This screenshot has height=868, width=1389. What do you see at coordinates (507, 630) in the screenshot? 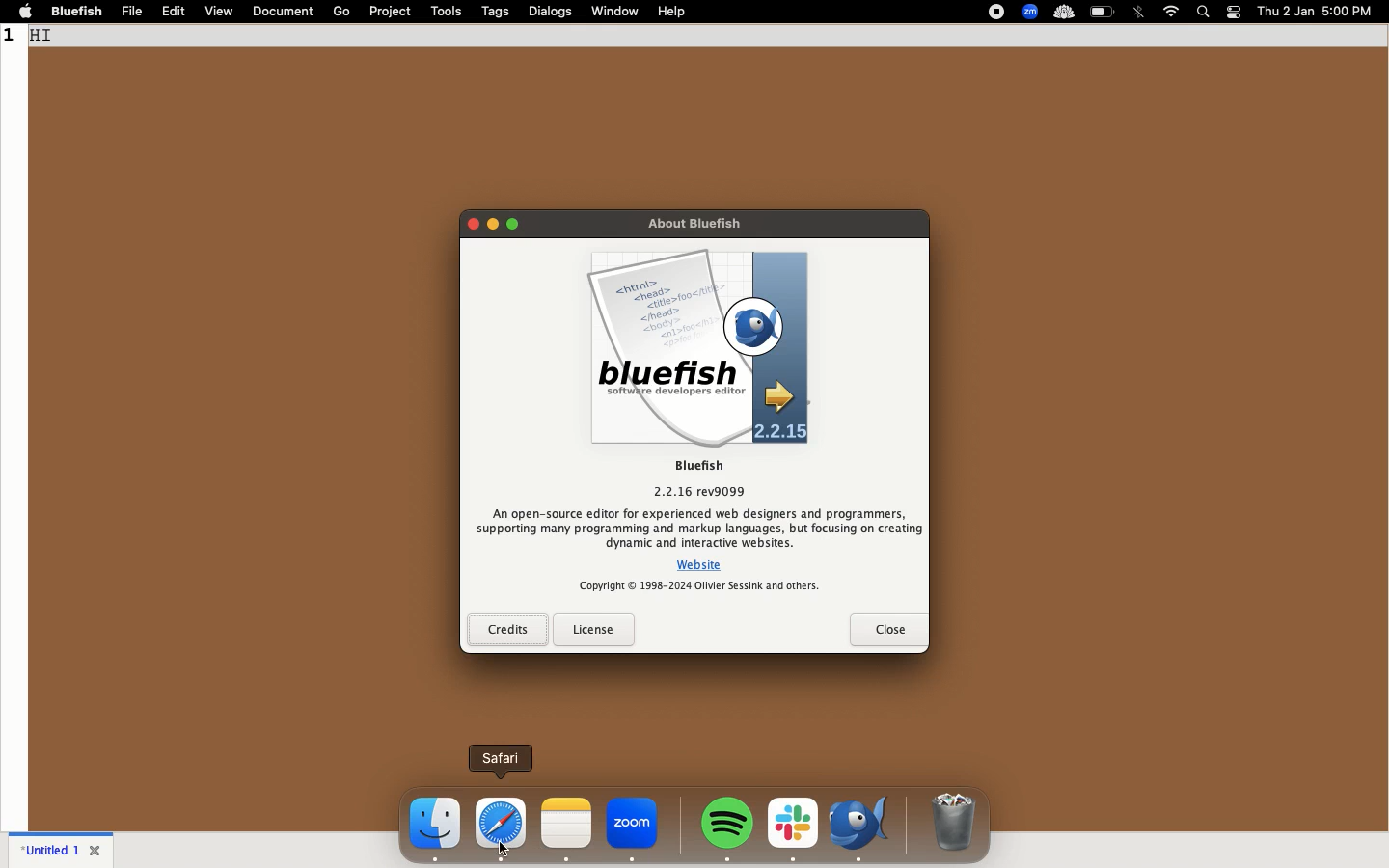
I see `credits` at bounding box center [507, 630].